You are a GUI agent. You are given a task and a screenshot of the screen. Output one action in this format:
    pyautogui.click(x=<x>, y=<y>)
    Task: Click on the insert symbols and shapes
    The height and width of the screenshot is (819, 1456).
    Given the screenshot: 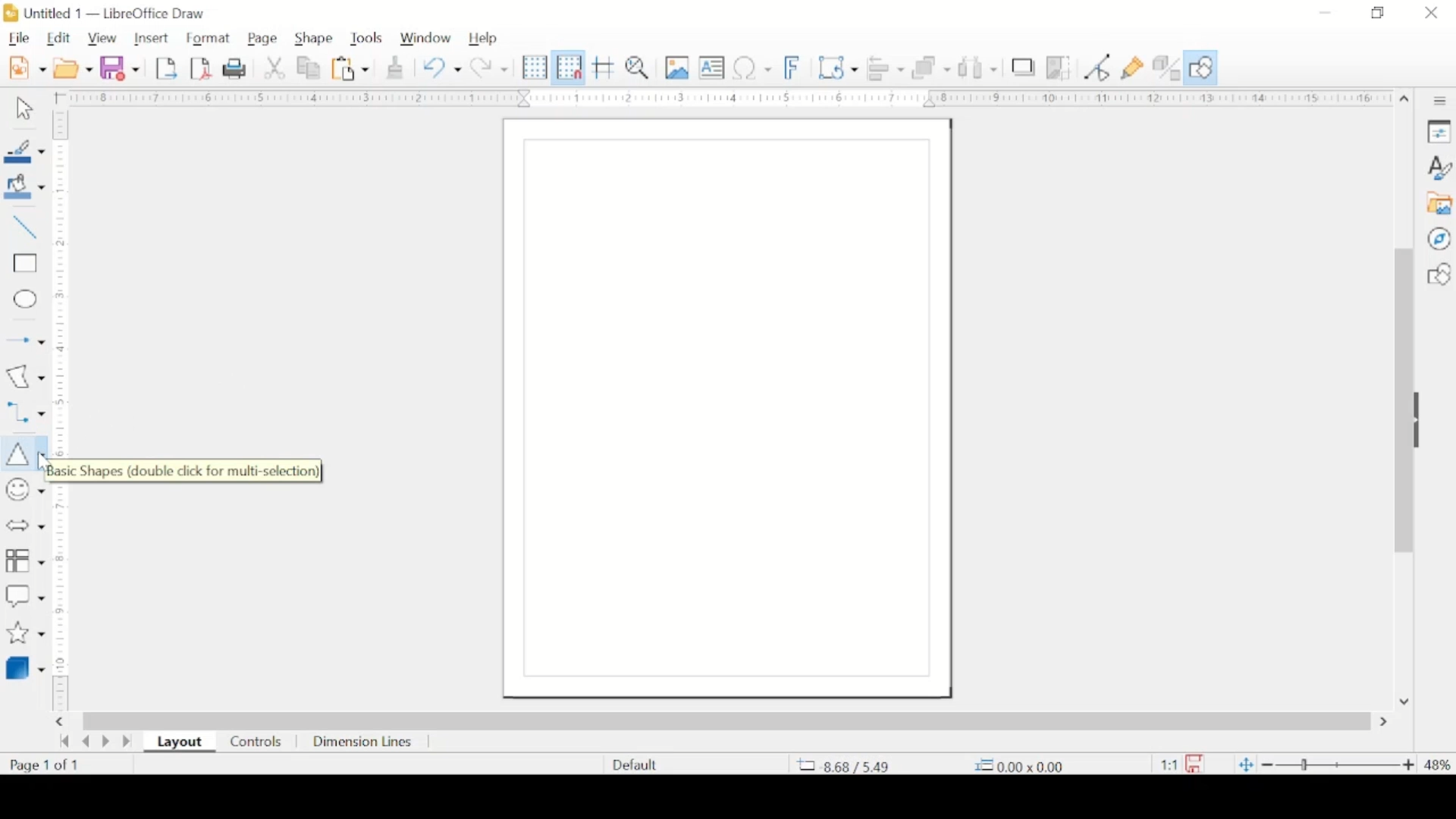 What is the action you would take?
    pyautogui.click(x=24, y=490)
    